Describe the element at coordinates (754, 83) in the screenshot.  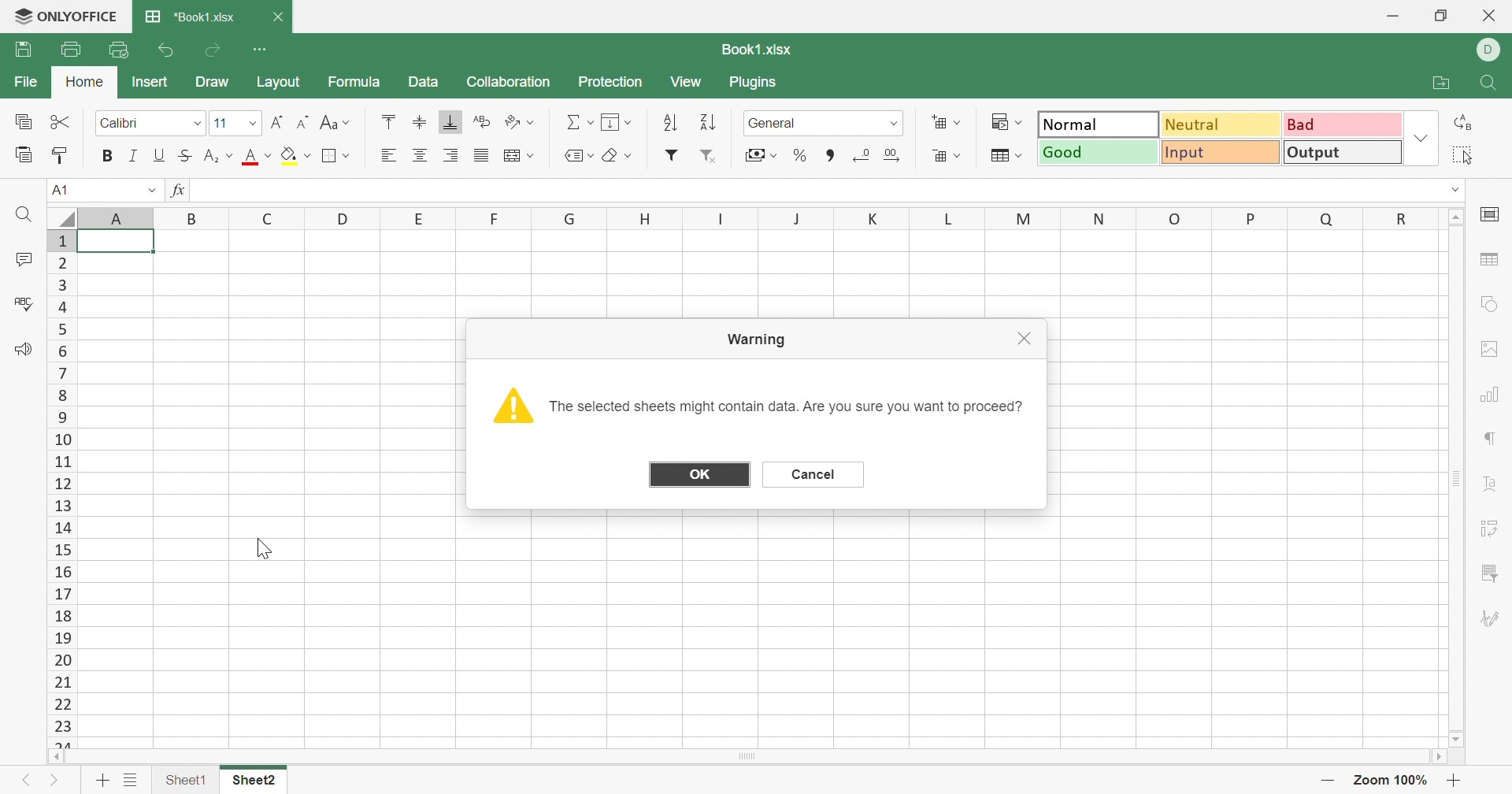
I see `Plugins` at that location.